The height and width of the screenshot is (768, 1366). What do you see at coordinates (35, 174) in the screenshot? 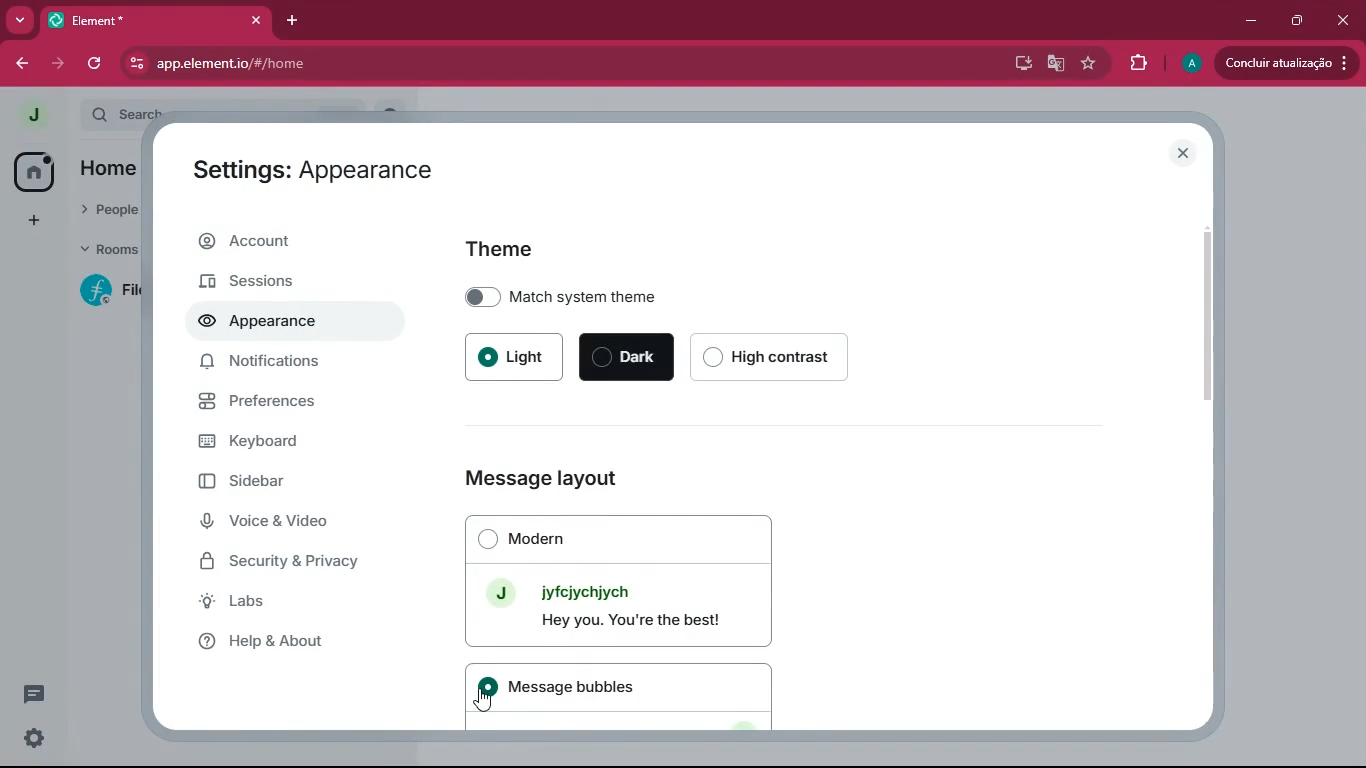
I see `home` at bounding box center [35, 174].